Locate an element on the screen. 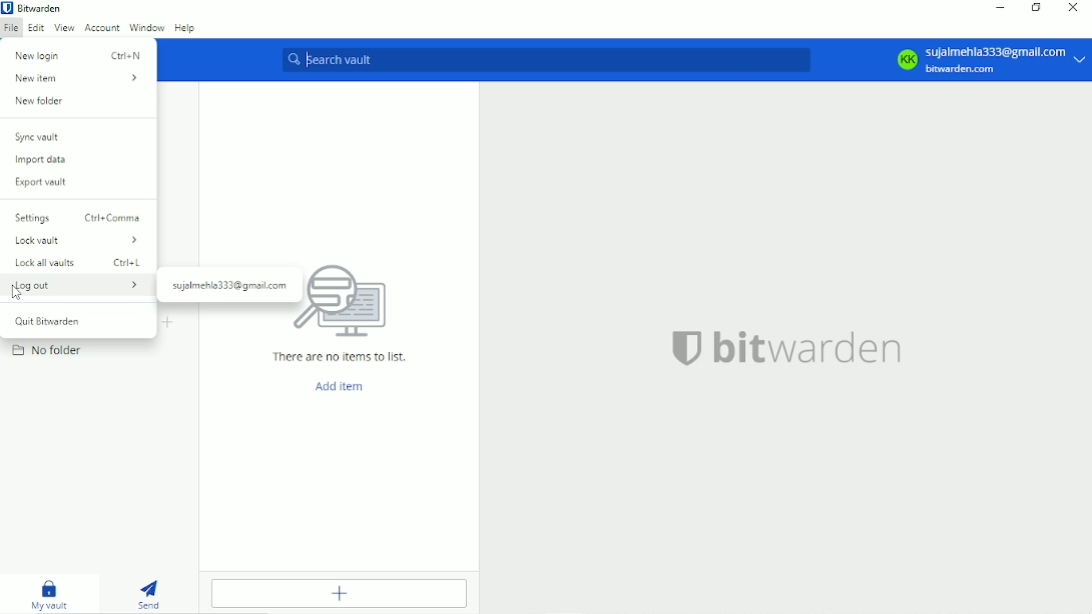 Image resolution: width=1092 pixels, height=614 pixels. computer icon is located at coordinates (353, 303).